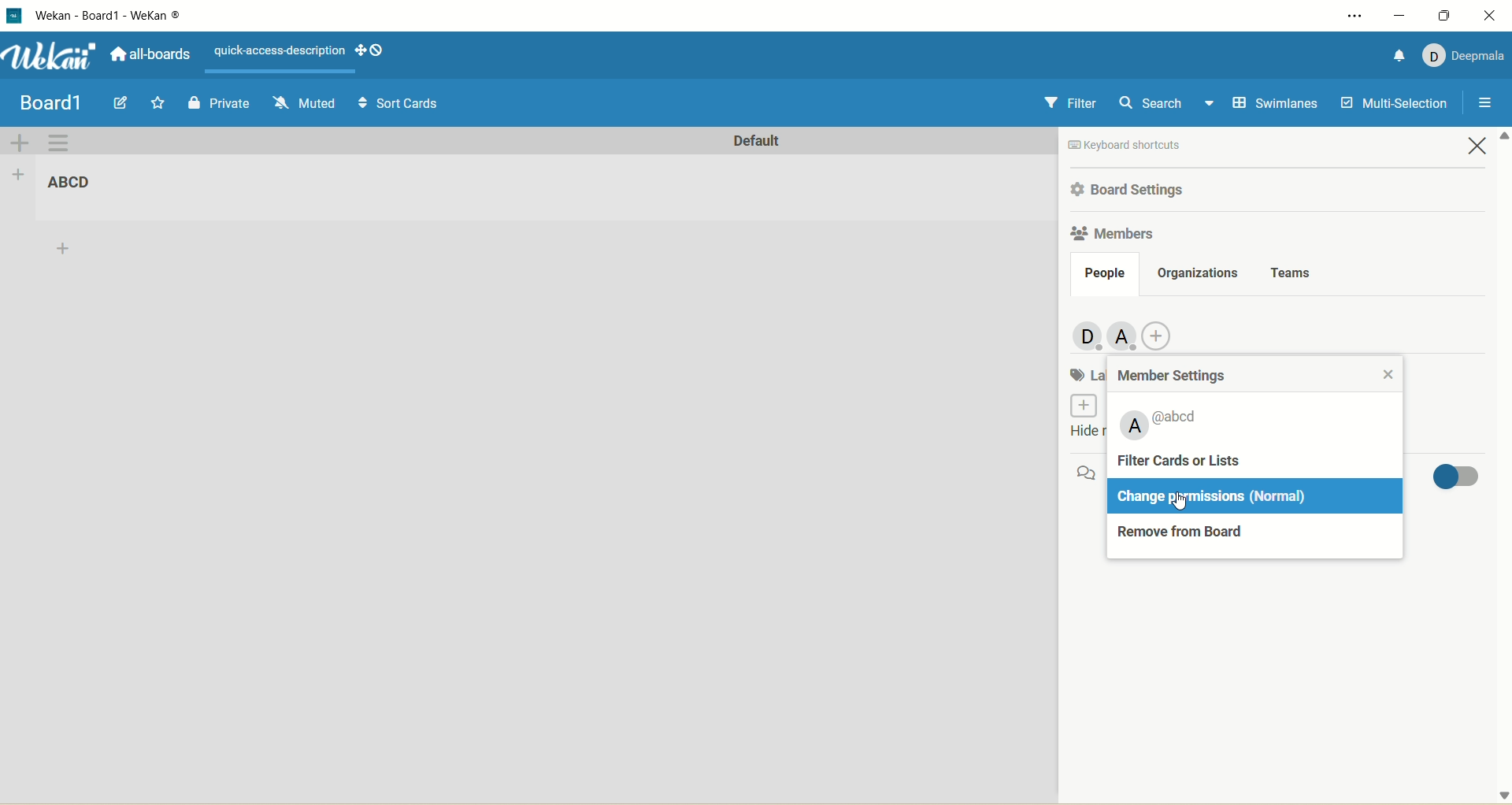  I want to click on notification, so click(1396, 54).